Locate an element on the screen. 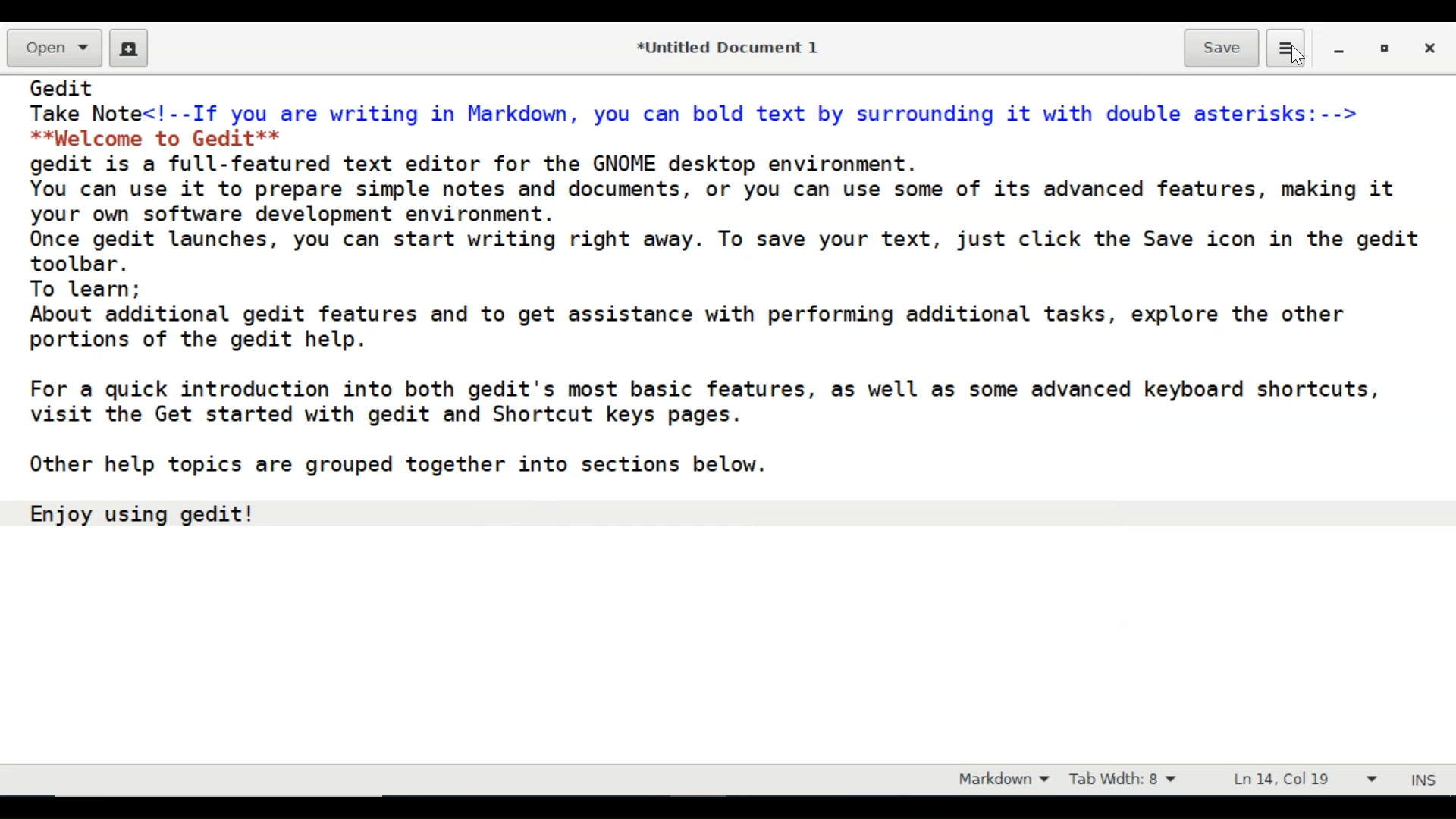 This screenshot has height=819, width=1456. restore is located at coordinates (1386, 51).